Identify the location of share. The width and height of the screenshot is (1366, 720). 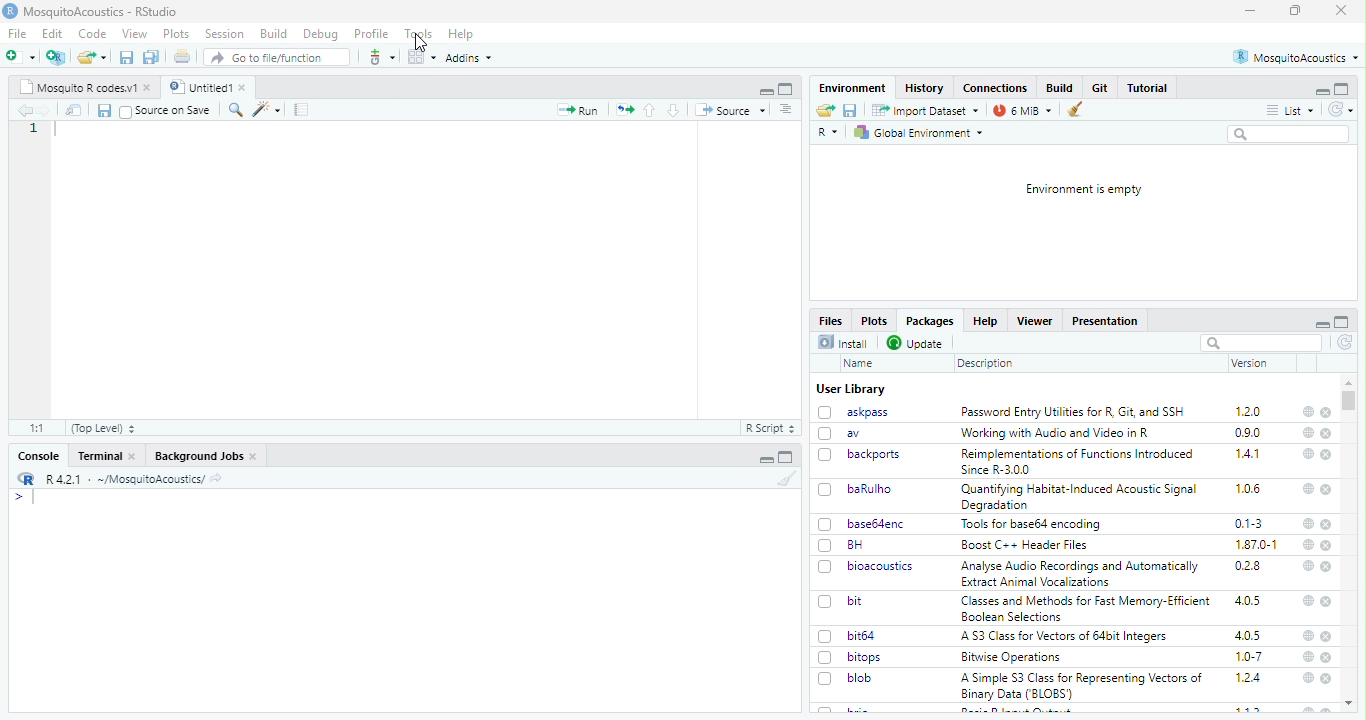
(826, 110).